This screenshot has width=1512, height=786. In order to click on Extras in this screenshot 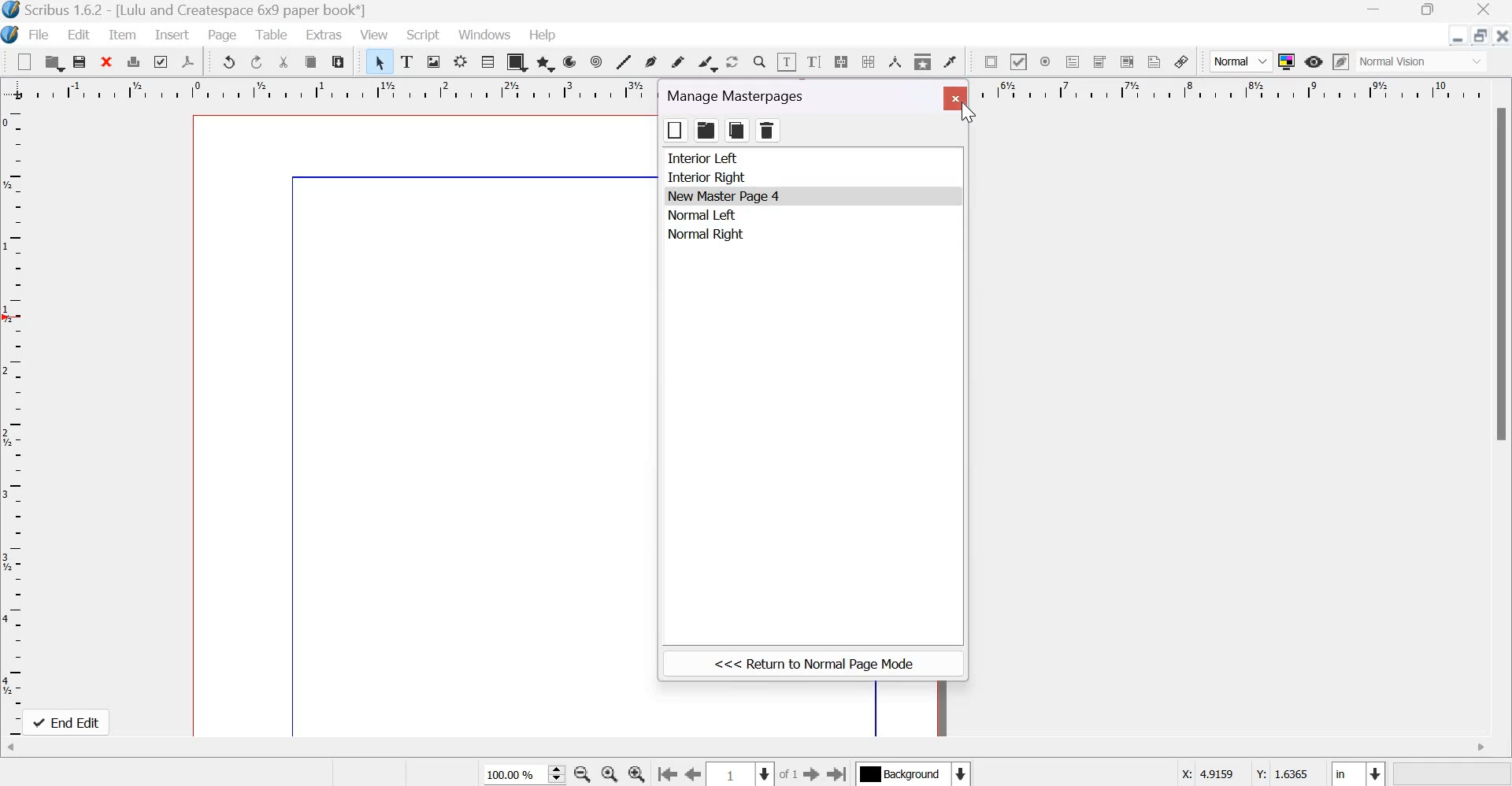, I will do `click(323, 35)`.